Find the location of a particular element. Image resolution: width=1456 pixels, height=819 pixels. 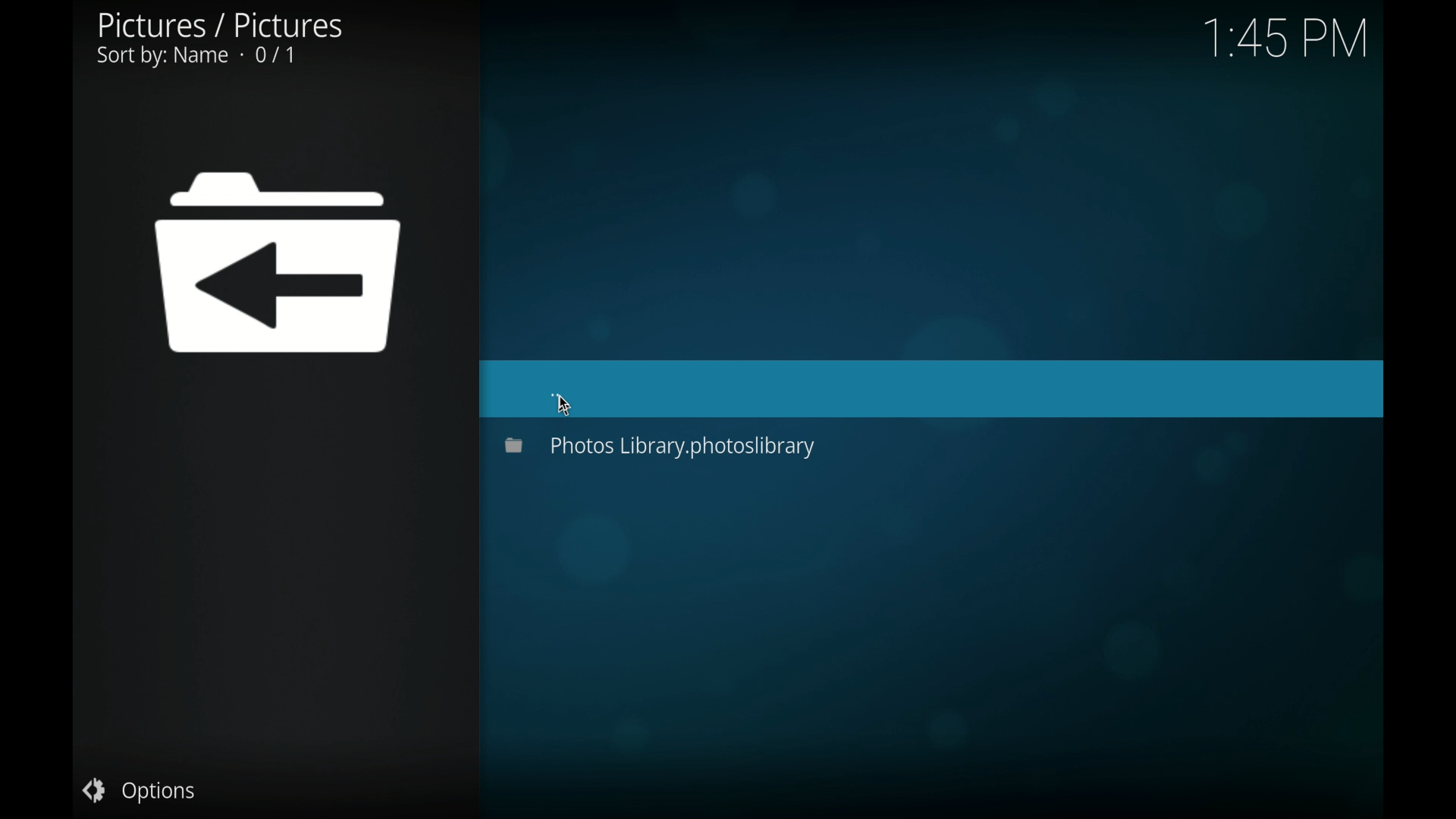

options is located at coordinates (140, 790).